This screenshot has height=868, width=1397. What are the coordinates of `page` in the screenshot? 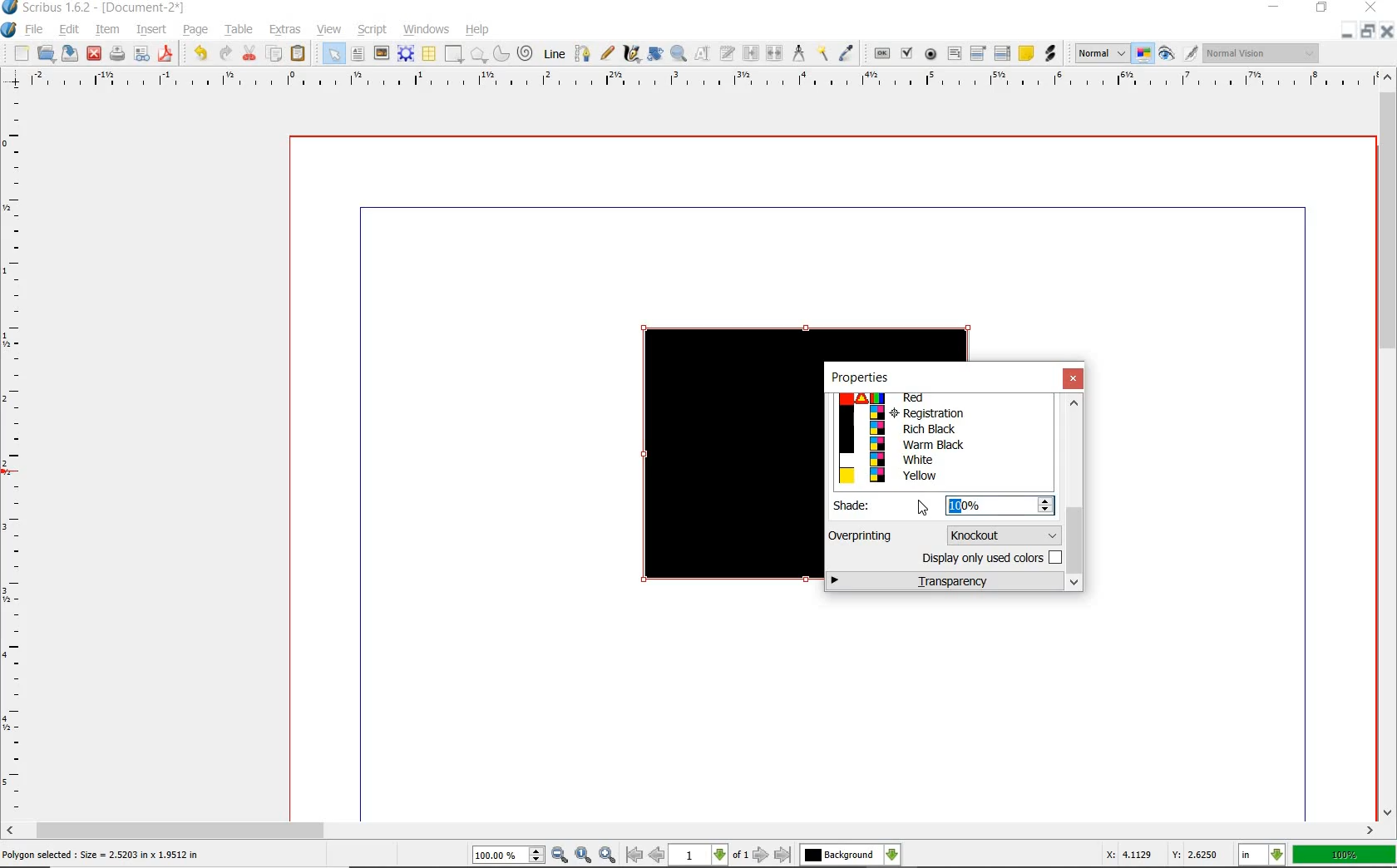 It's located at (196, 32).